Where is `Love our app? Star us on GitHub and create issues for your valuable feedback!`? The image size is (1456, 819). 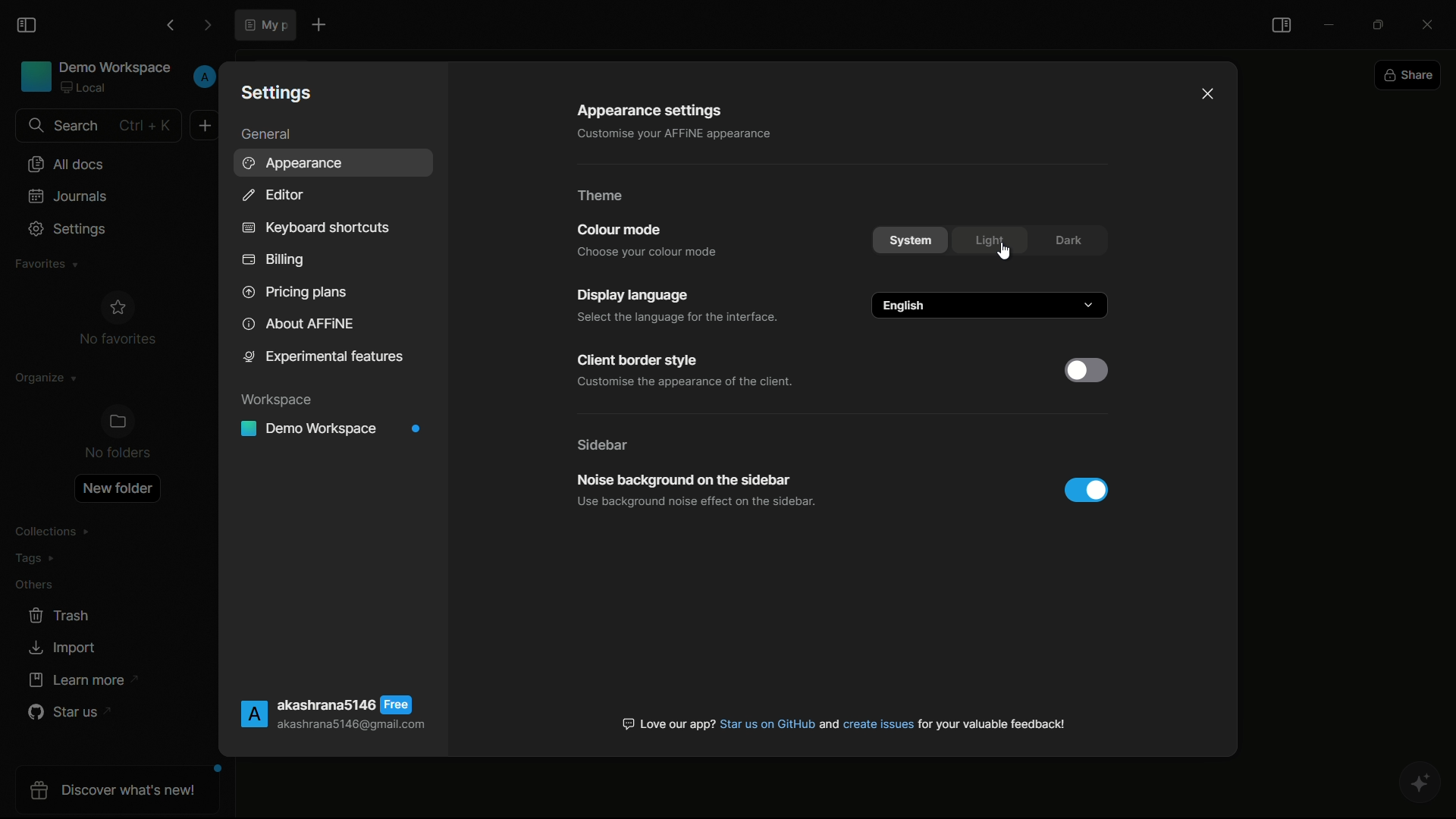 Love our app? Star us on GitHub and create issues for your valuable feedback! is located at coordinates (845, 723).